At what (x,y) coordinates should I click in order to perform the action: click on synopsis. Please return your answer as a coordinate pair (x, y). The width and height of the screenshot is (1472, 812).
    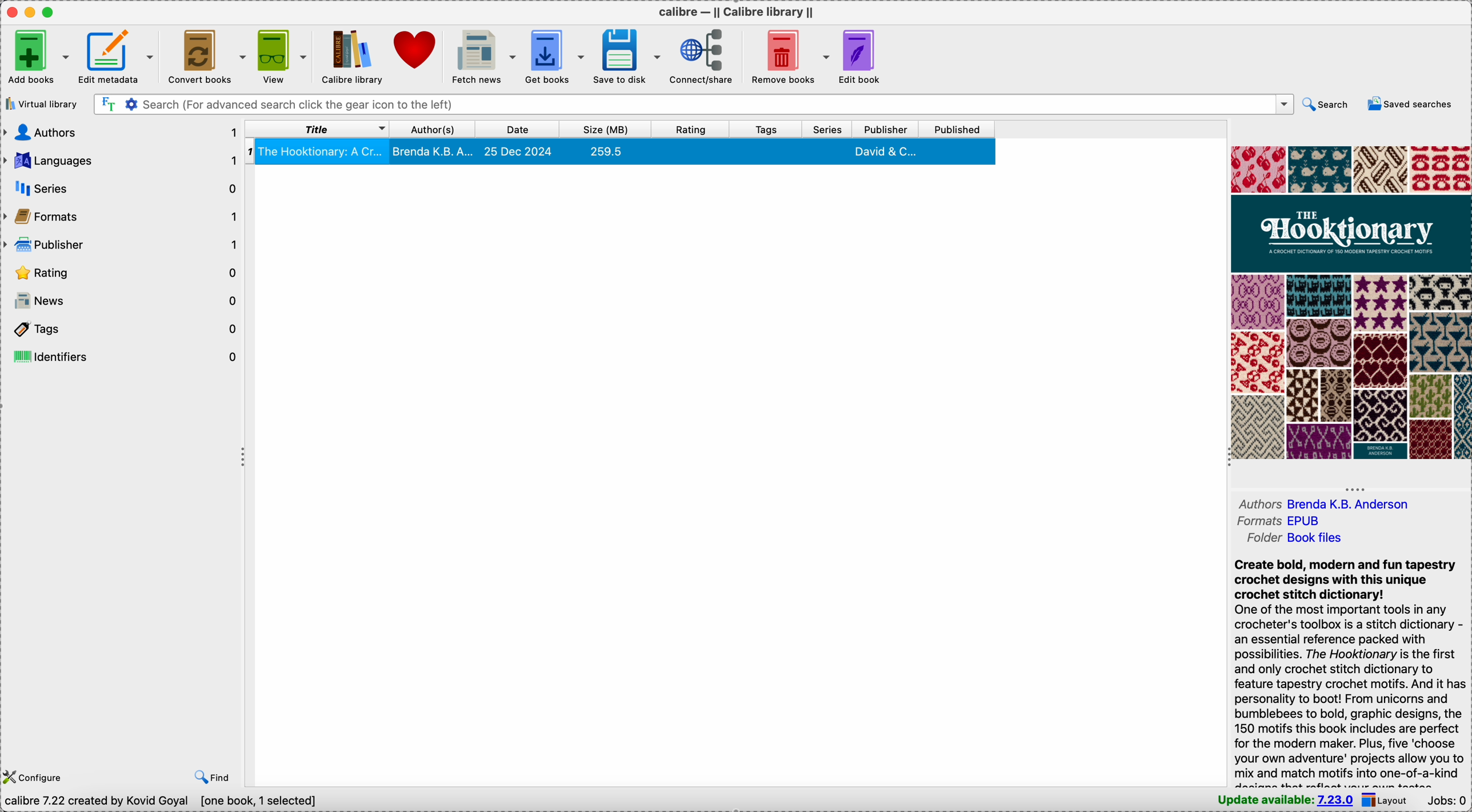
    Looking at the image, I should click on (1351, 672).